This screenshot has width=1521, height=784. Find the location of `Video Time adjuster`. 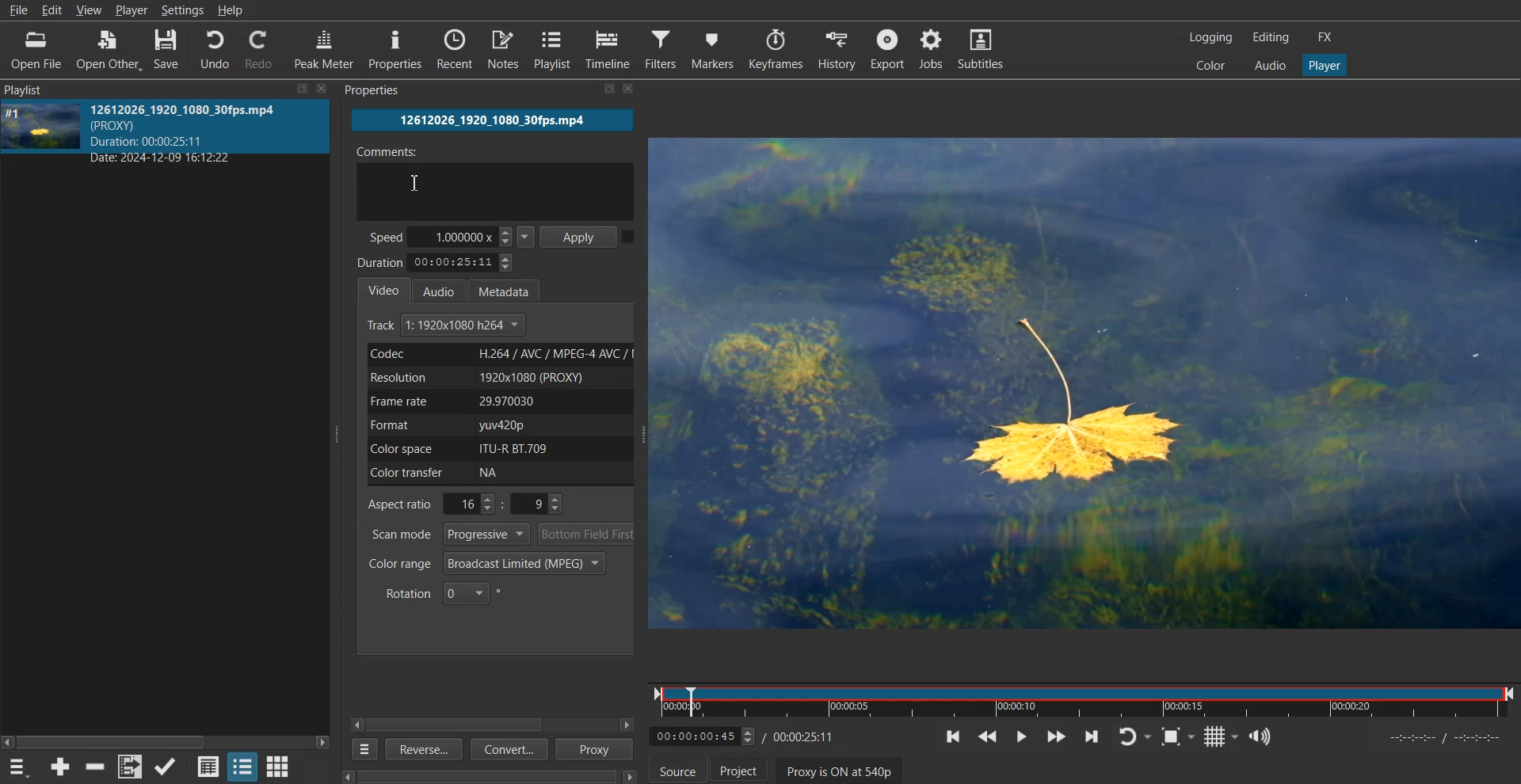

Video Time adjuster is located at coordinates (703, 736).